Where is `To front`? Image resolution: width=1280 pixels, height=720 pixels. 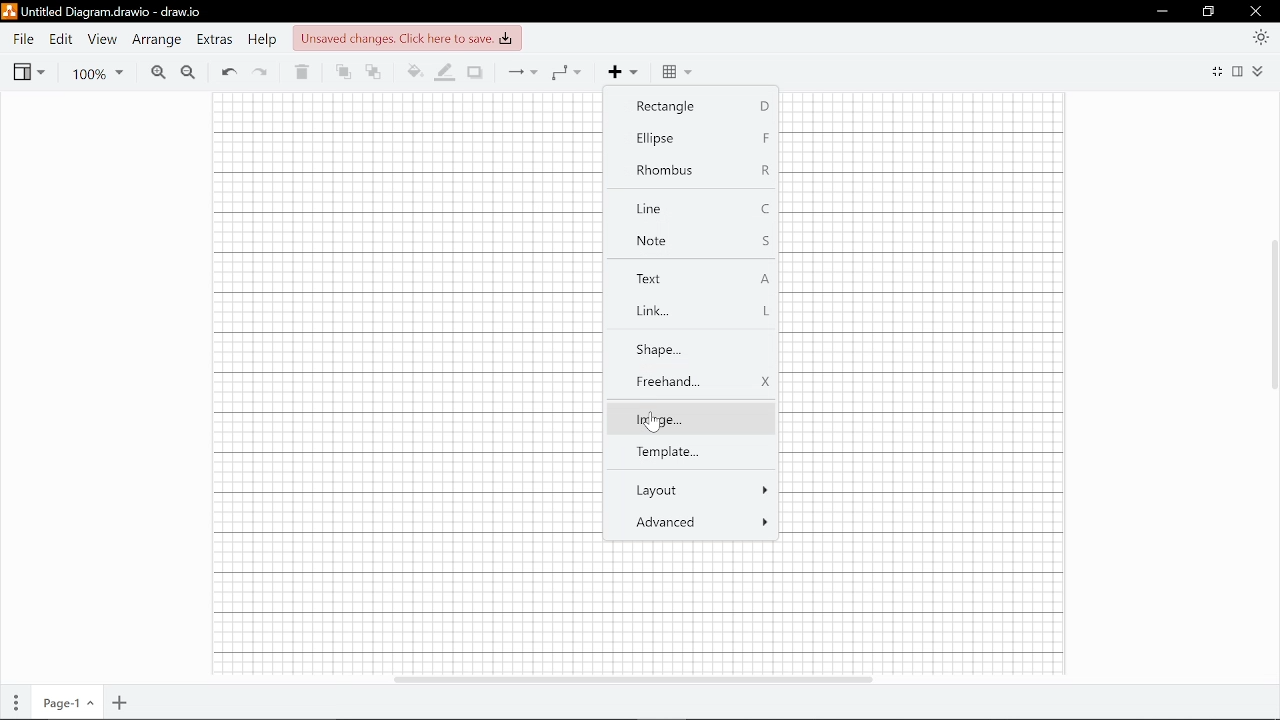
To front is located at coordinates (344, 72).